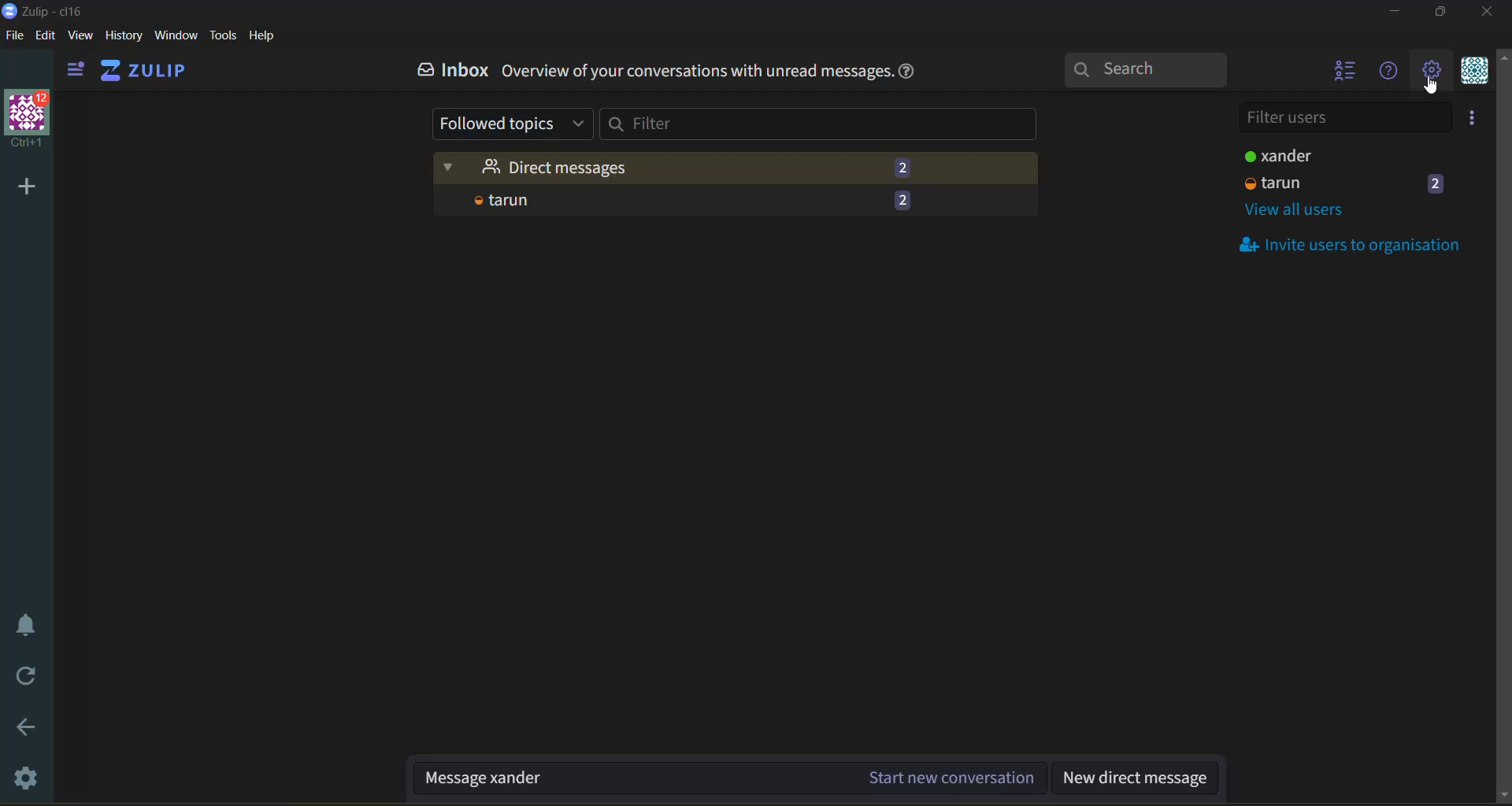 This screenshot has width=1512, height=806. Describe the element at coordinates (1436, 88) in the screenshot. I see `cursor` at that location.